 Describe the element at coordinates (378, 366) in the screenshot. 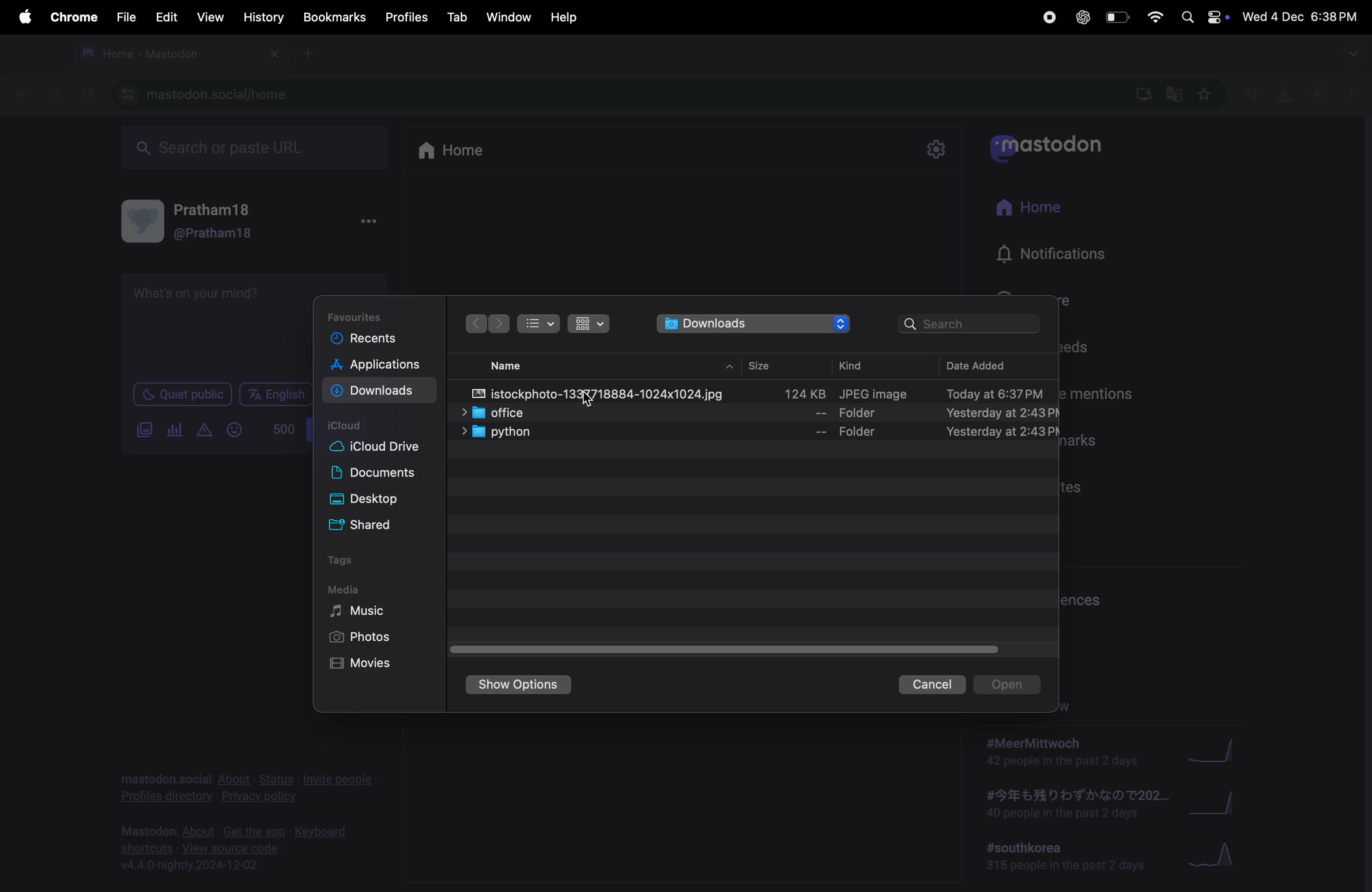

I see `applications` at that location.